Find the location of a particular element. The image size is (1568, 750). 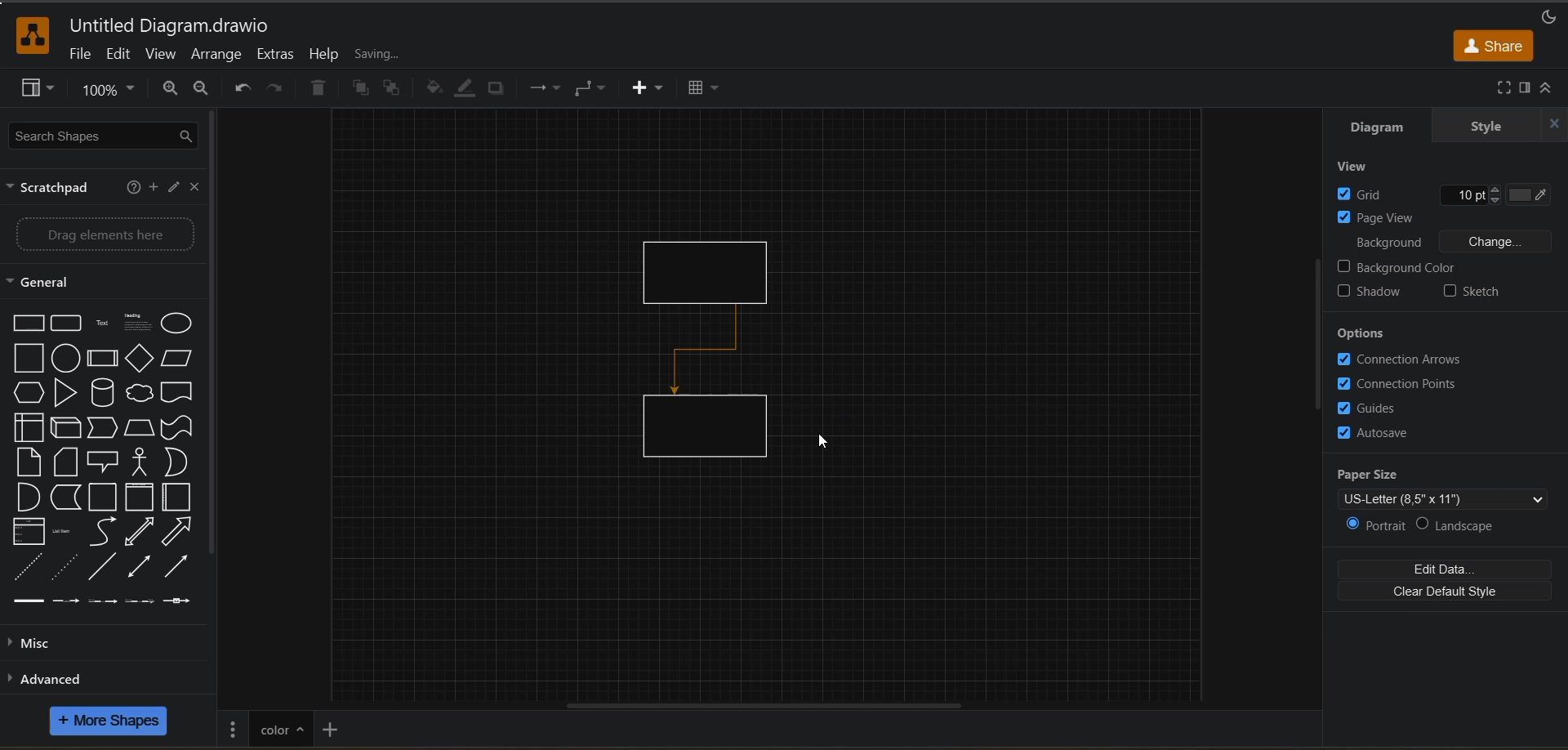

diagram is located at coordinates (1374, 130).